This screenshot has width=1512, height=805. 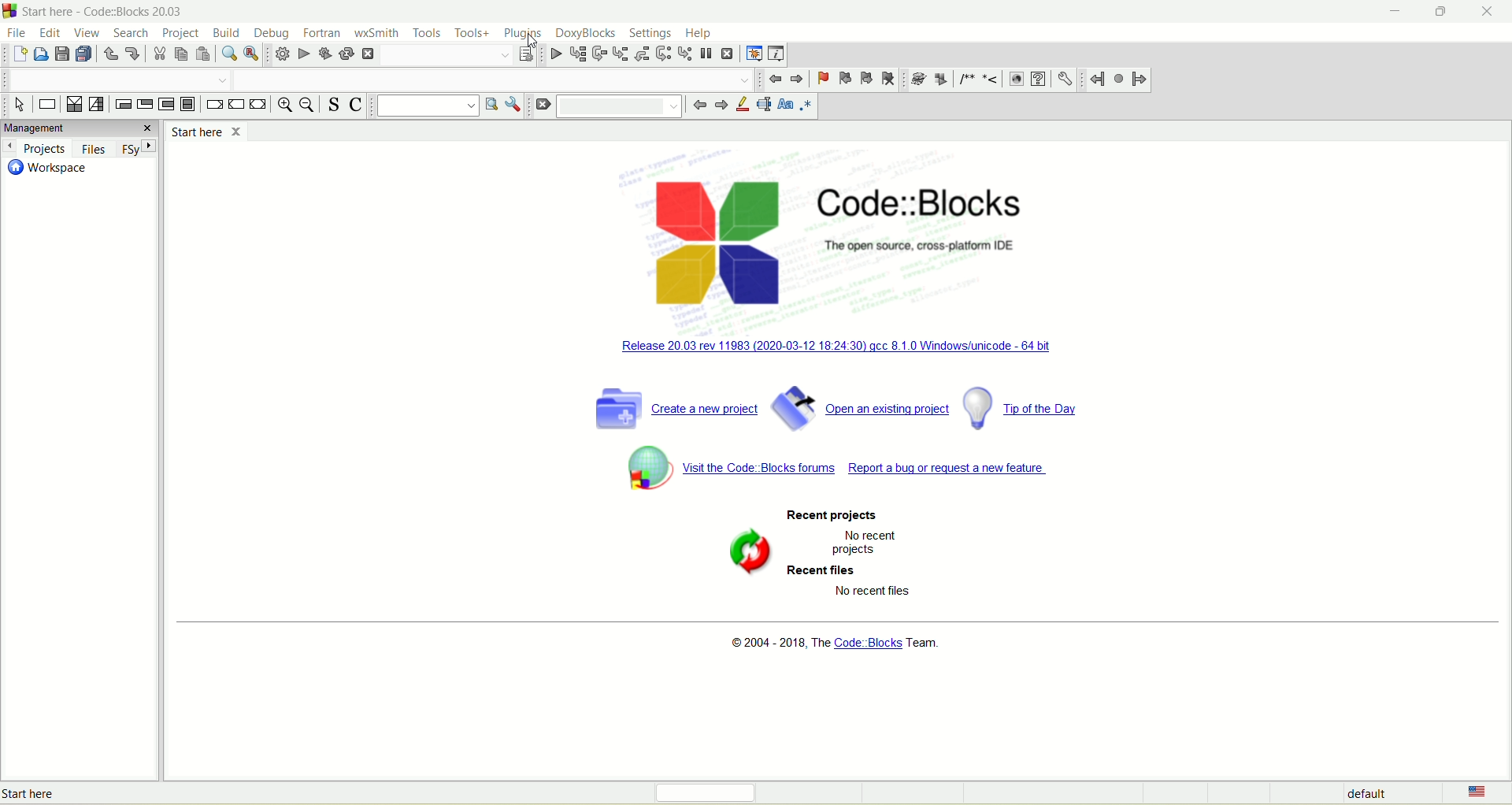 What do you see at coordinates (91, 148) in the screenshot?
I see `files` at bounding box center [91, 148].